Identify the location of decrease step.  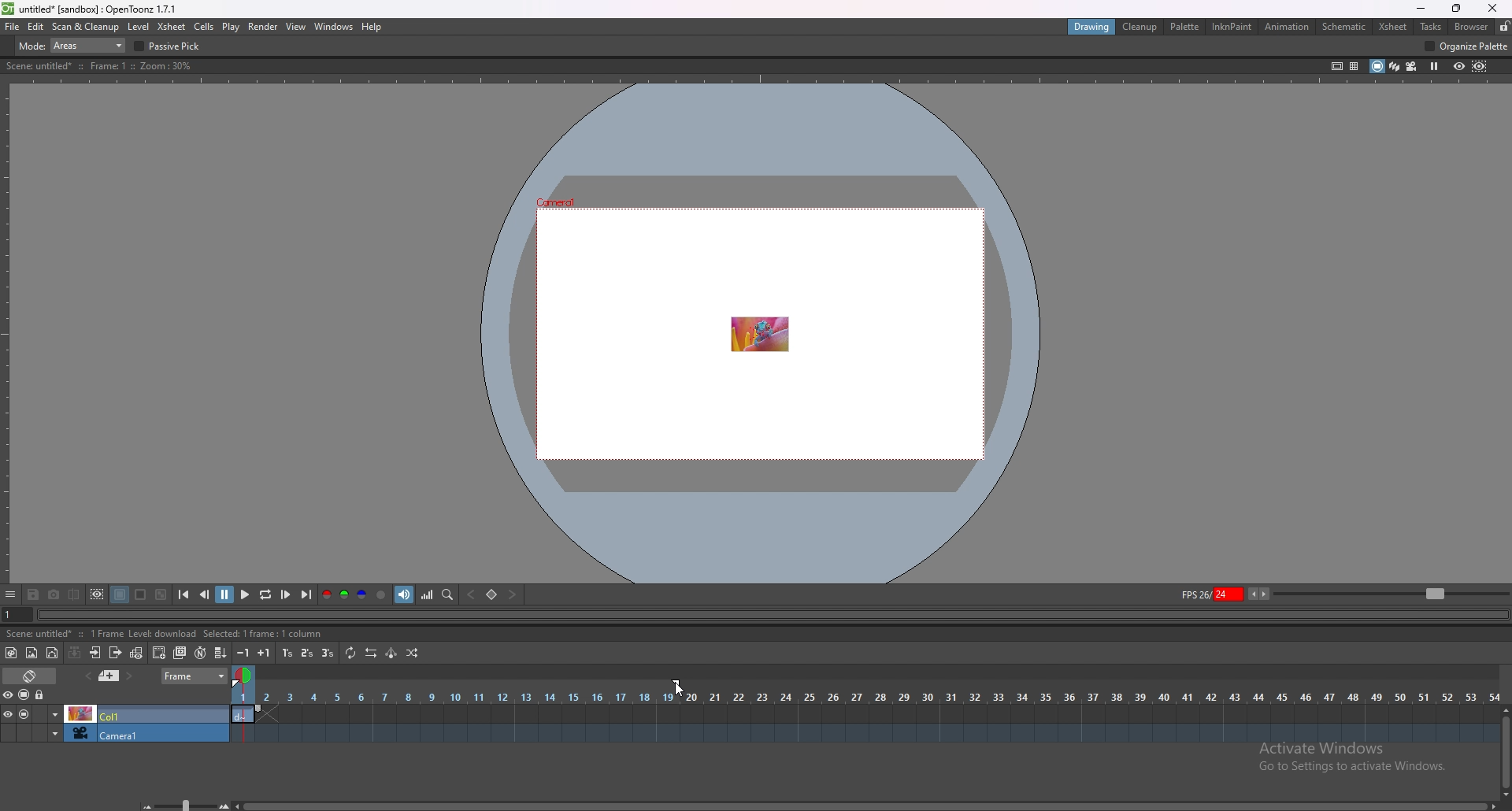
(243, 653).